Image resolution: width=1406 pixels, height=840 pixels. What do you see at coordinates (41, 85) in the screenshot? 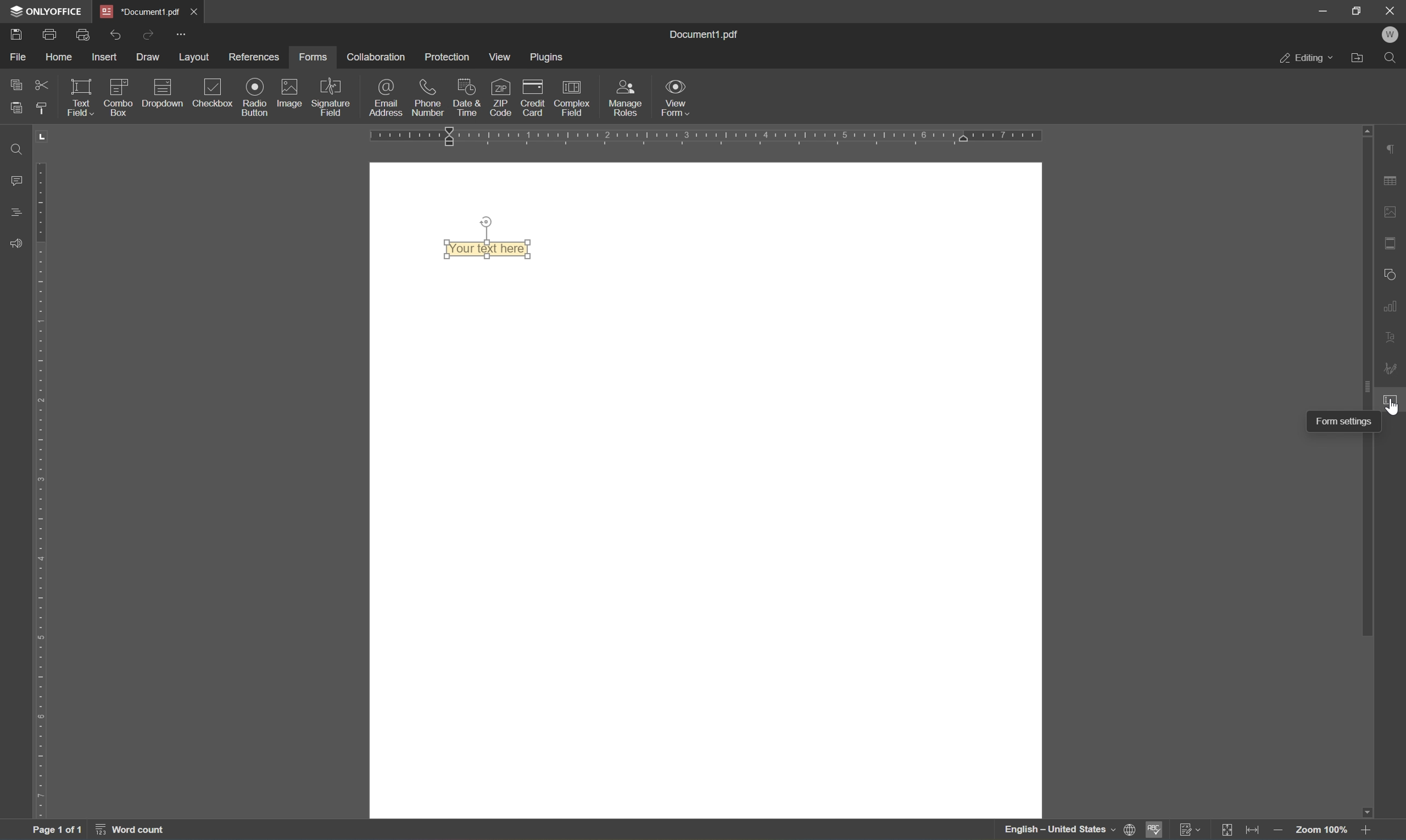
I see `cut` at bounding box center [41, 85].